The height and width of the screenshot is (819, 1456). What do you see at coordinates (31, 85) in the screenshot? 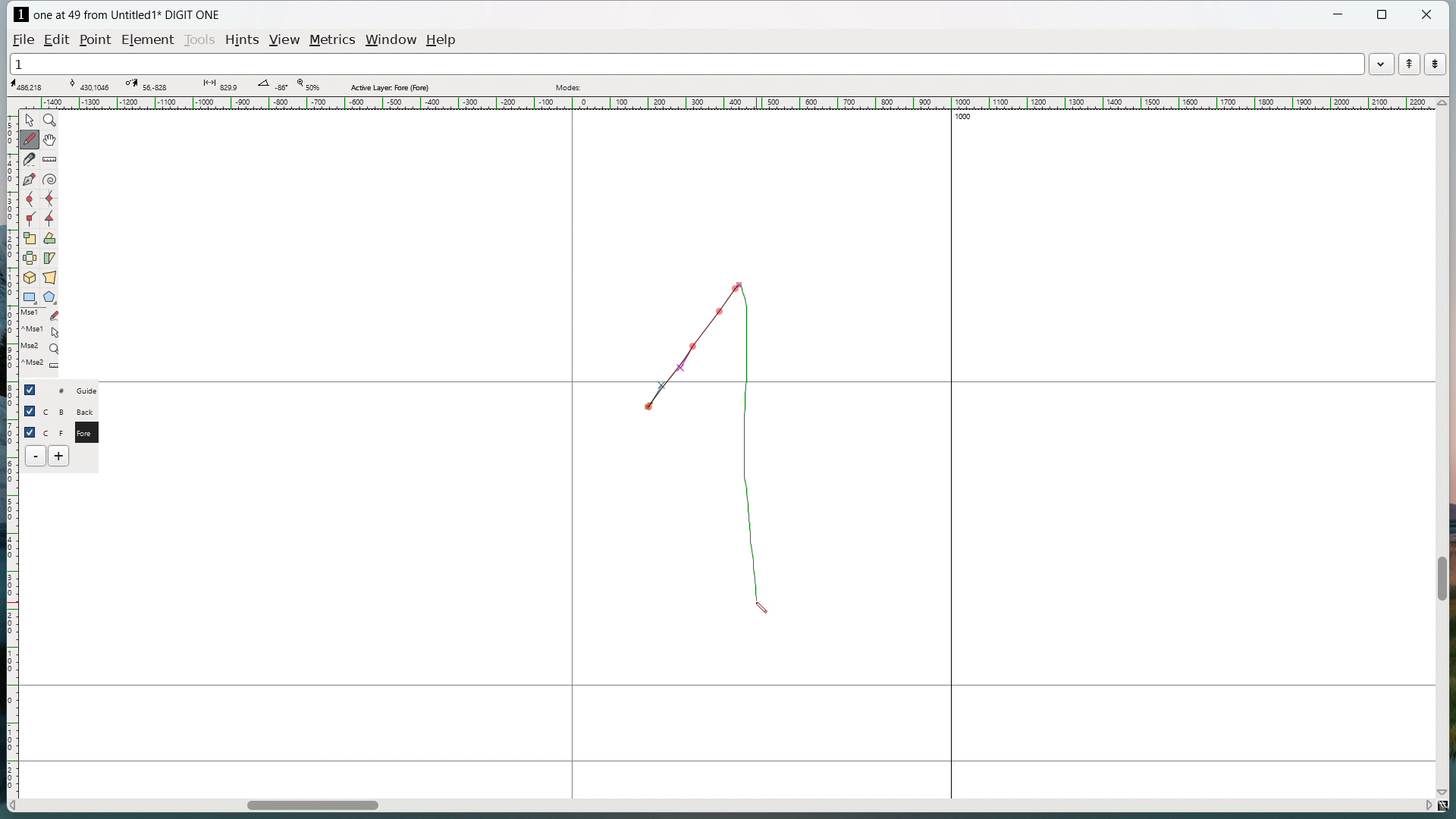
I see `cursor coordinate` at bounding box center [31, 85].